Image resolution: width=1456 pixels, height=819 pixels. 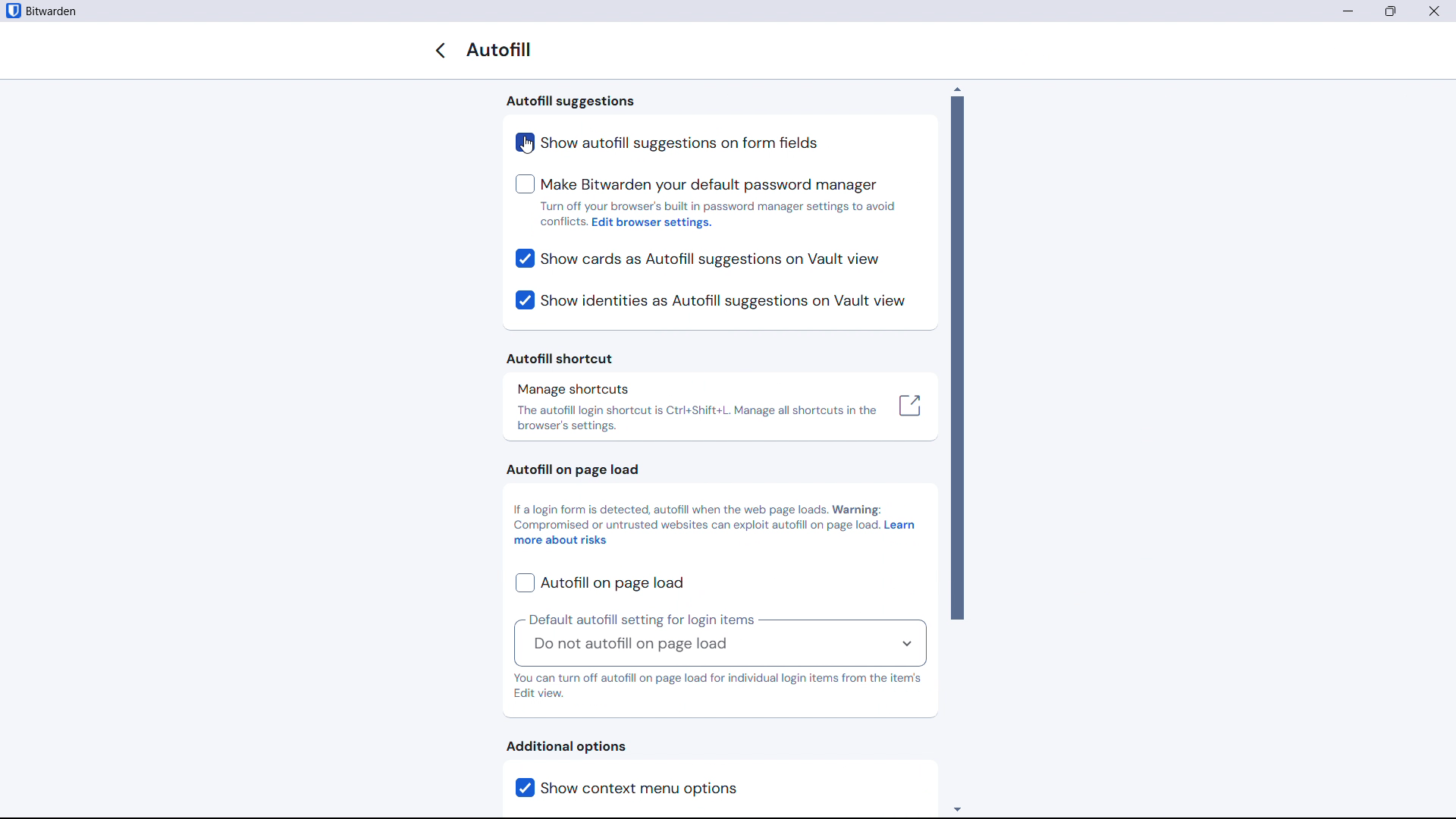 What do you see at coordinates (957, 358) in the screenshot?
I see `Scroll bar ` at bounding box center [957, 358].